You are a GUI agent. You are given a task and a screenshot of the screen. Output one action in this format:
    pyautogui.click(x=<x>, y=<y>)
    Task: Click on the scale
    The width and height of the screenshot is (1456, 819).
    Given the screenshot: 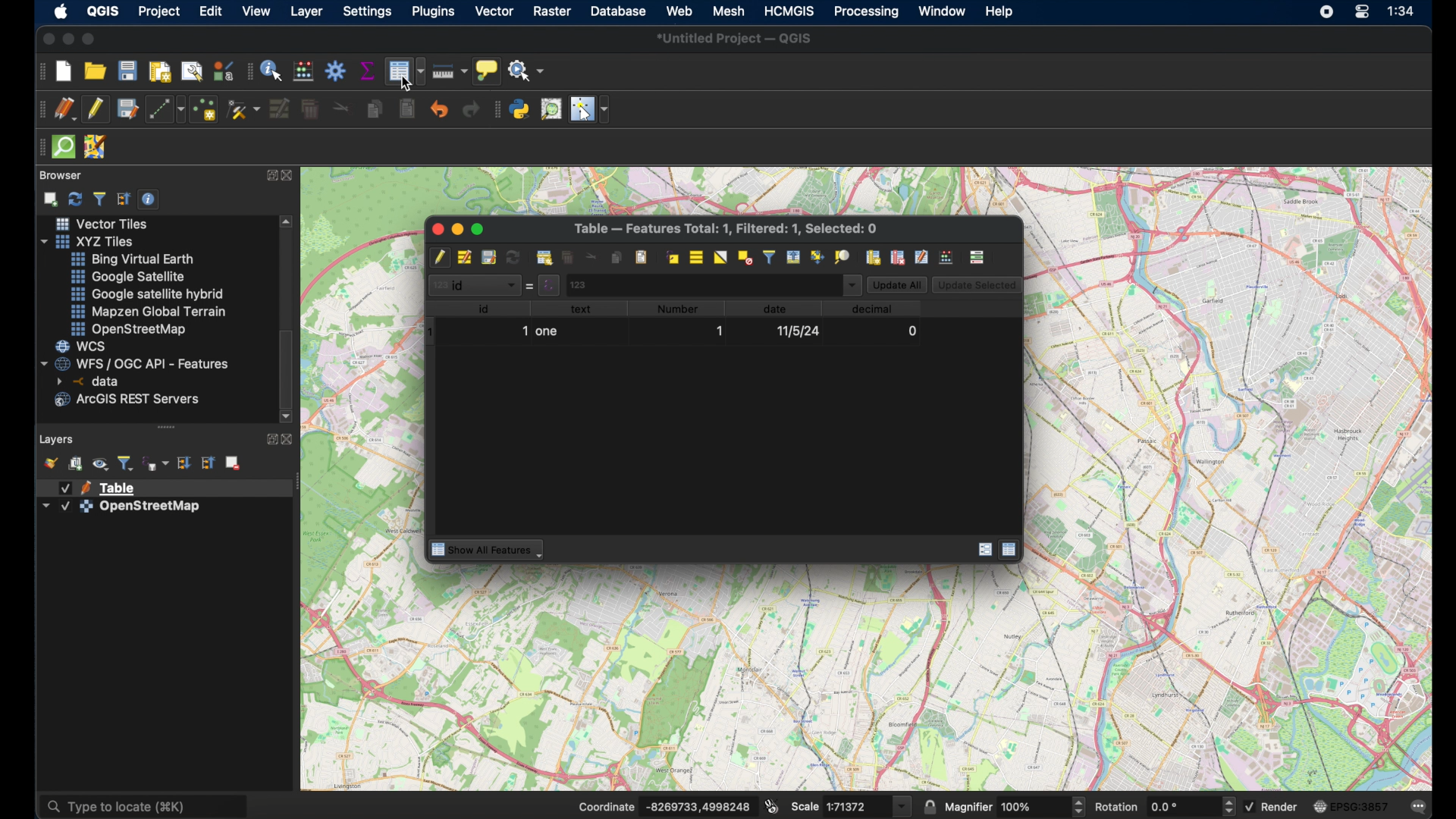 What is the action you would take?
    pyautogui.click(x=804, y=805)
    